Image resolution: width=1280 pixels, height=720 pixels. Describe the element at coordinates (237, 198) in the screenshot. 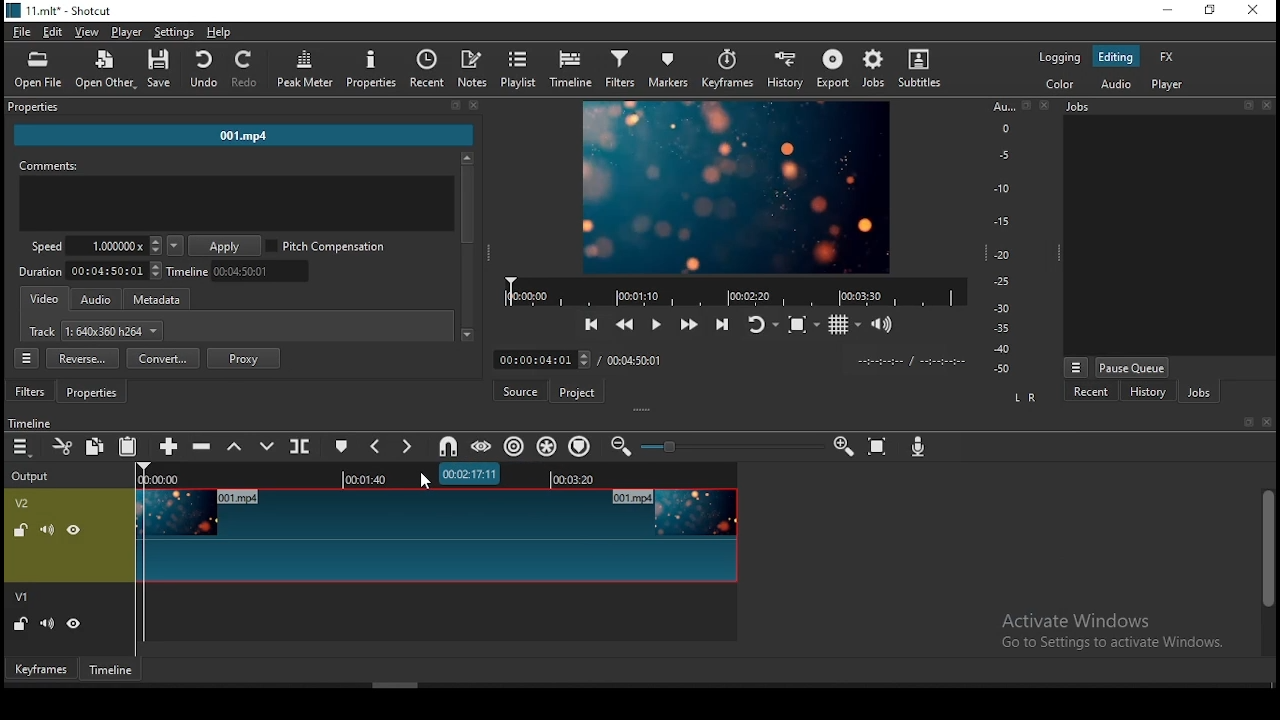

I see `comments` at that location.